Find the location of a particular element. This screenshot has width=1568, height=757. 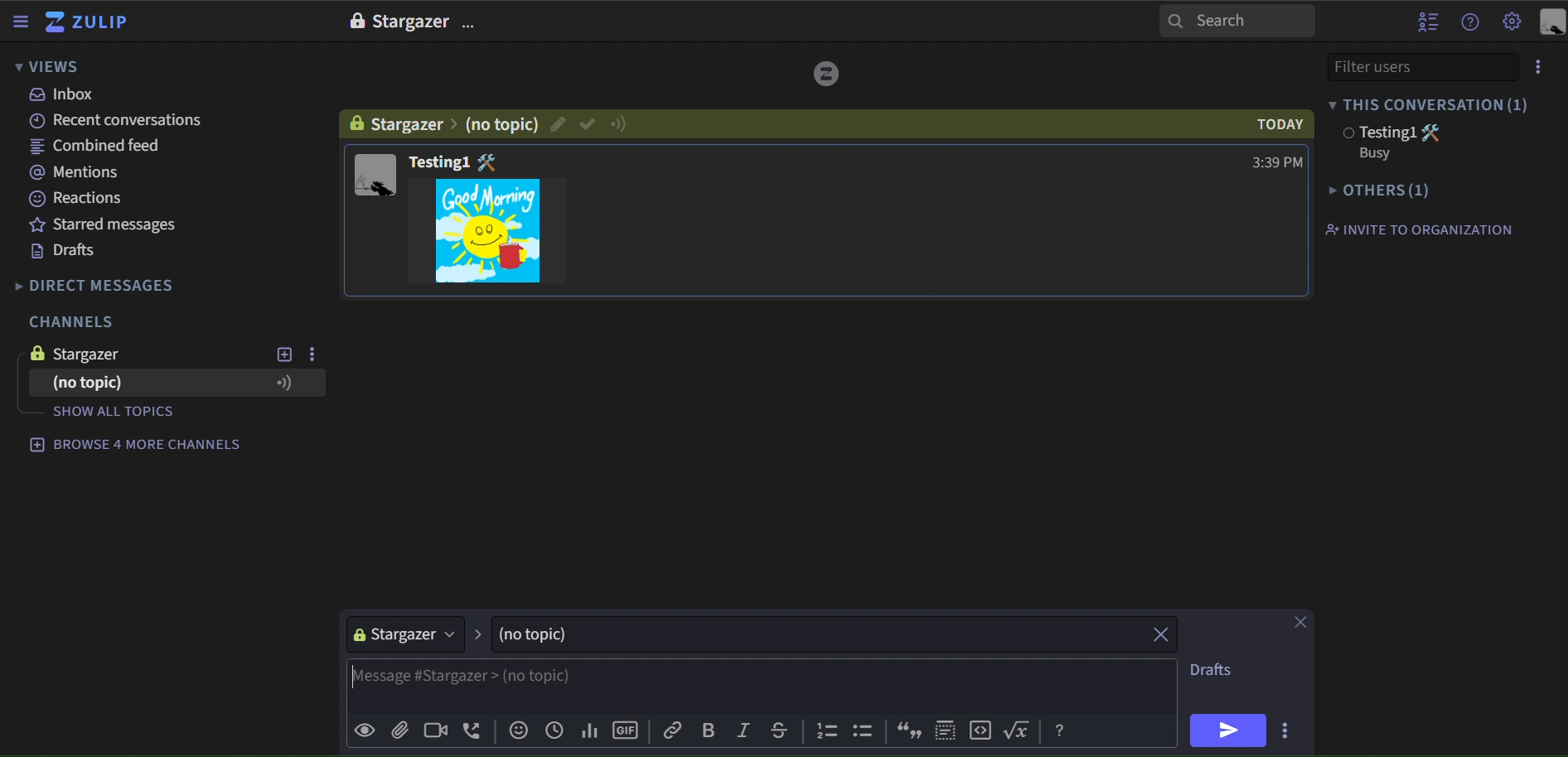

no topics is located at coordinates (89, 383).